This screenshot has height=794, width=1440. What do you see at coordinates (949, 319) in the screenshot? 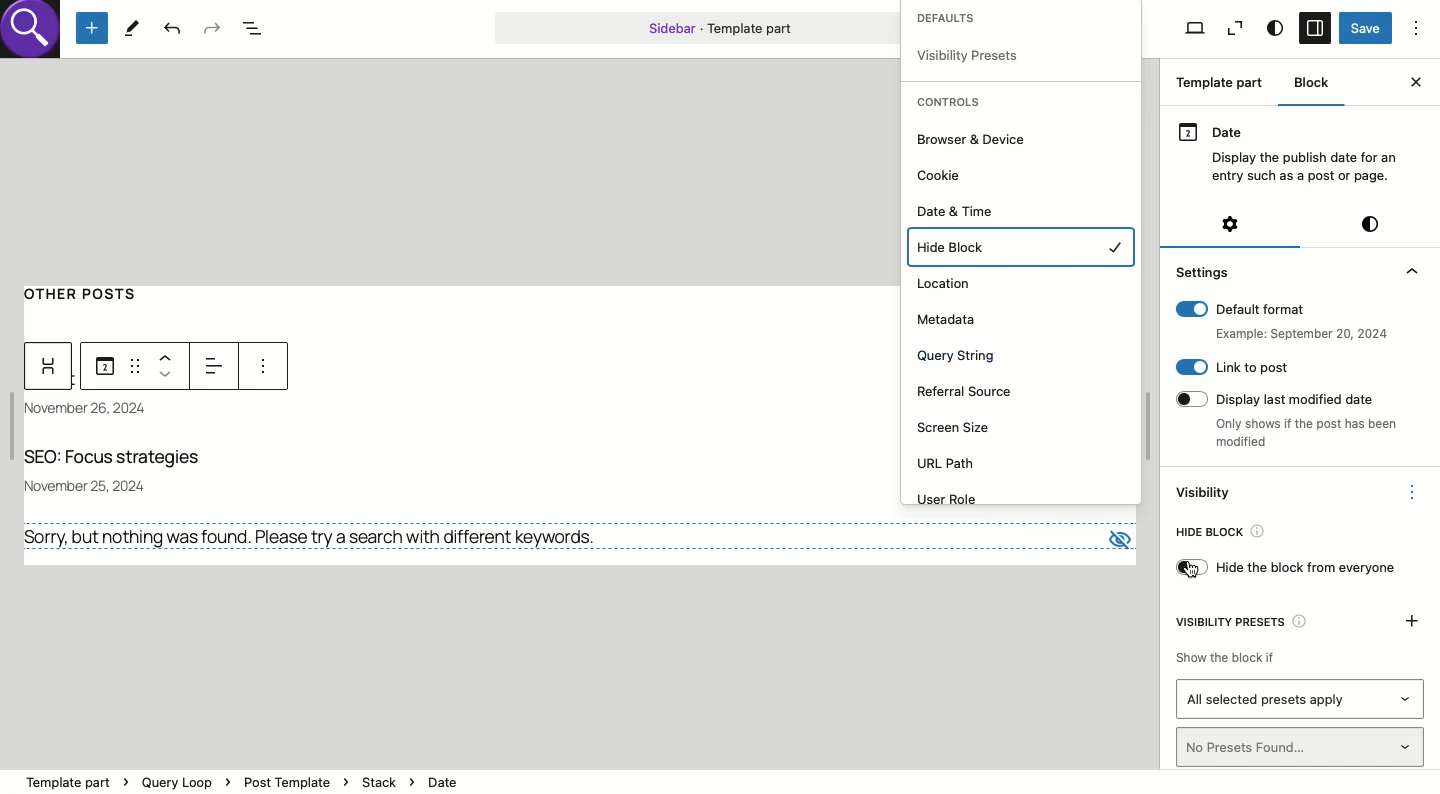
I see `Metadata` at bounding box center [949, 319].